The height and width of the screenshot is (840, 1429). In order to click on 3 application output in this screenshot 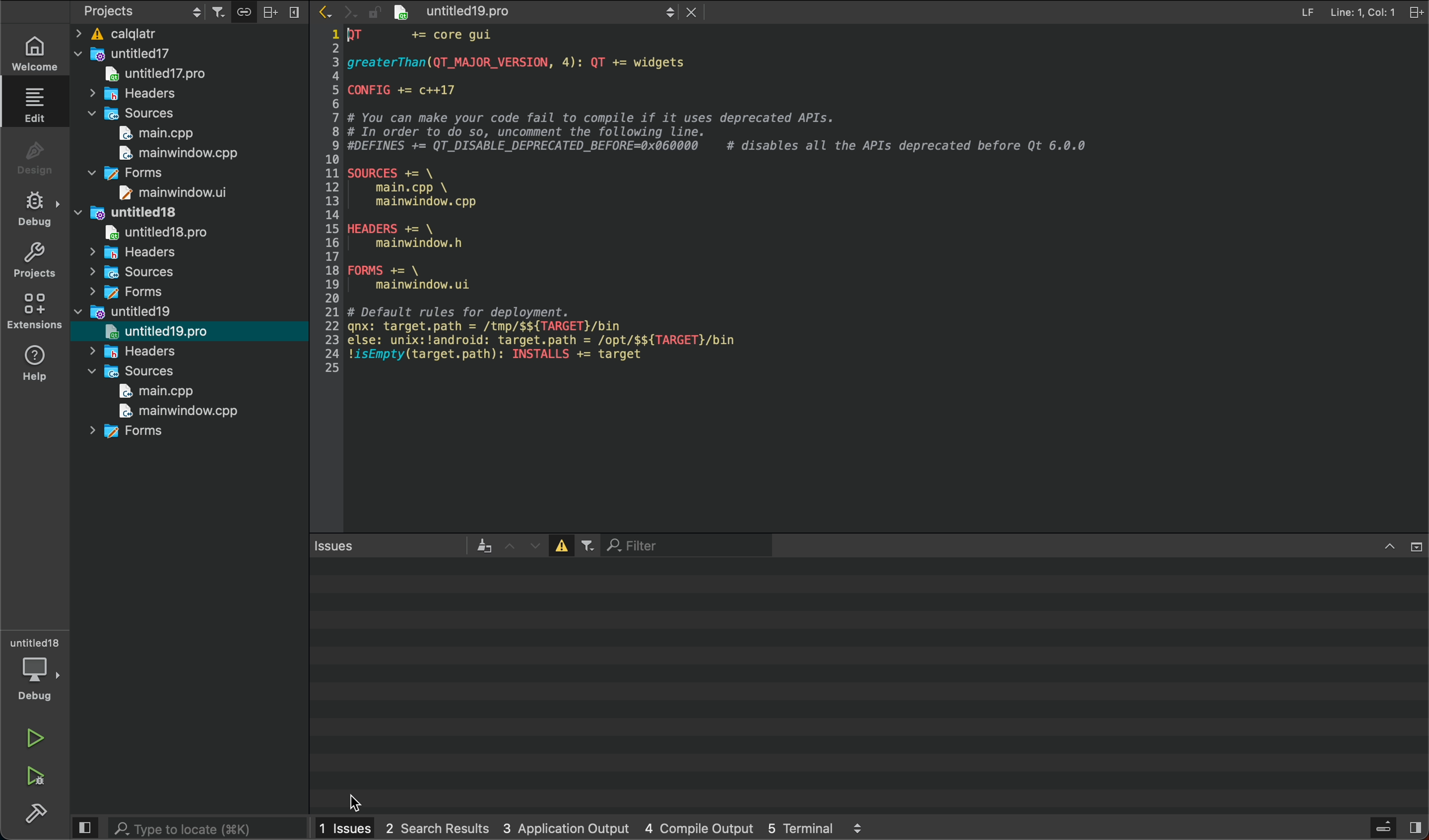, I will do `click(570, 826)`.